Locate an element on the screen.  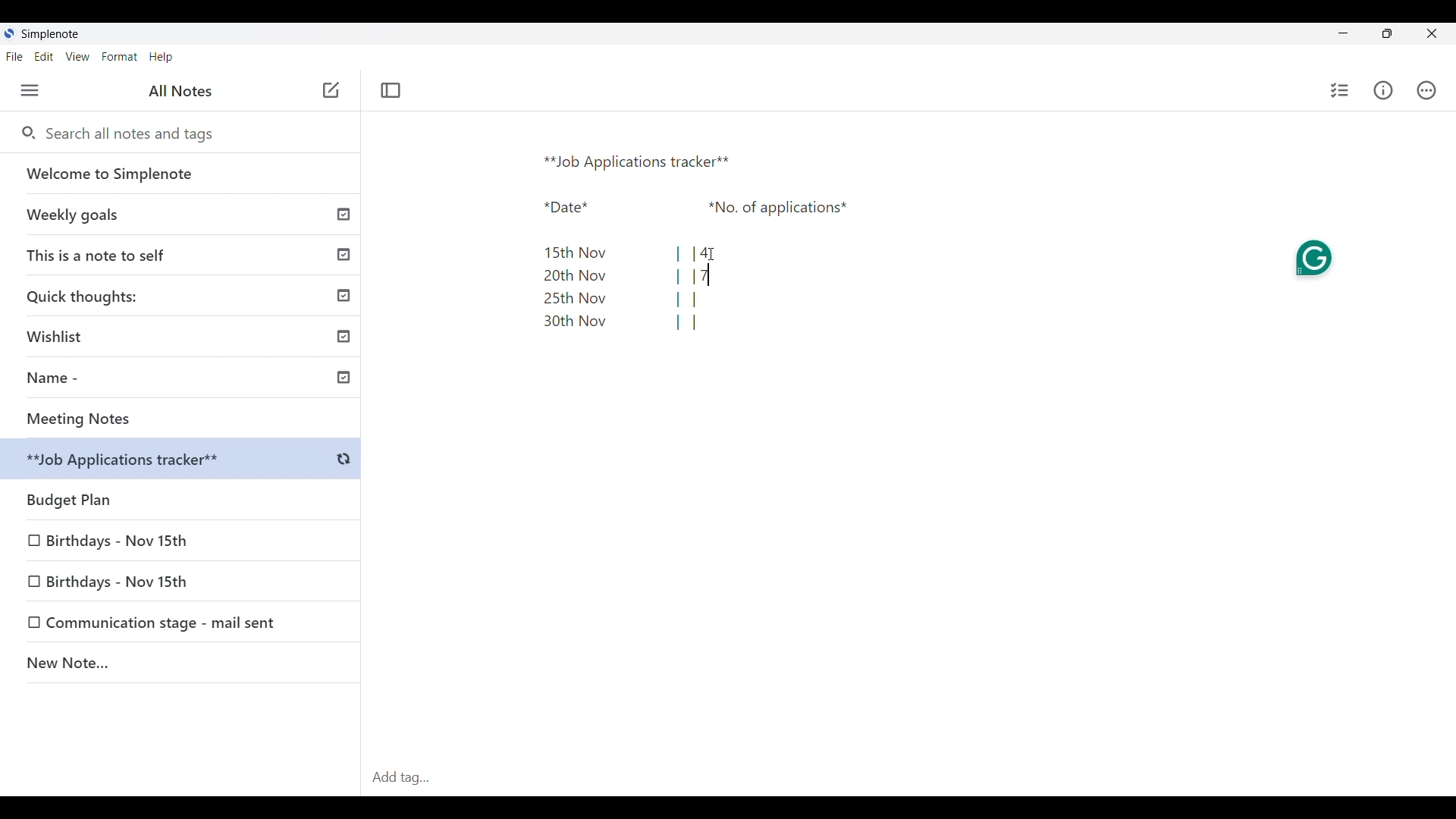
Meeting Notes is located at coordinates (186, 419).